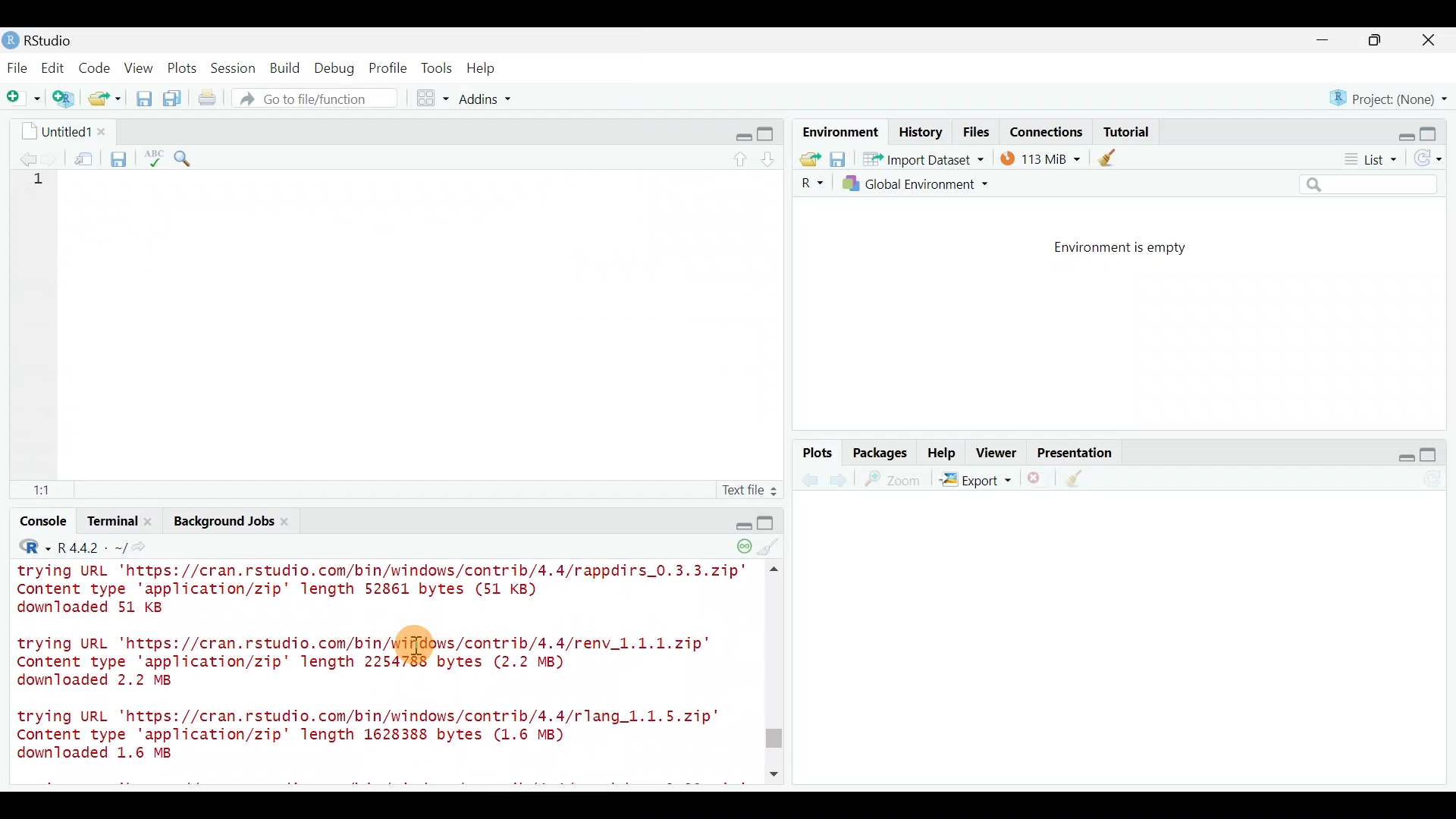  What do you see at coordinates (90, 547) in the screenshot?
I see `R 4.4.2` at bounding box center [90, 547].